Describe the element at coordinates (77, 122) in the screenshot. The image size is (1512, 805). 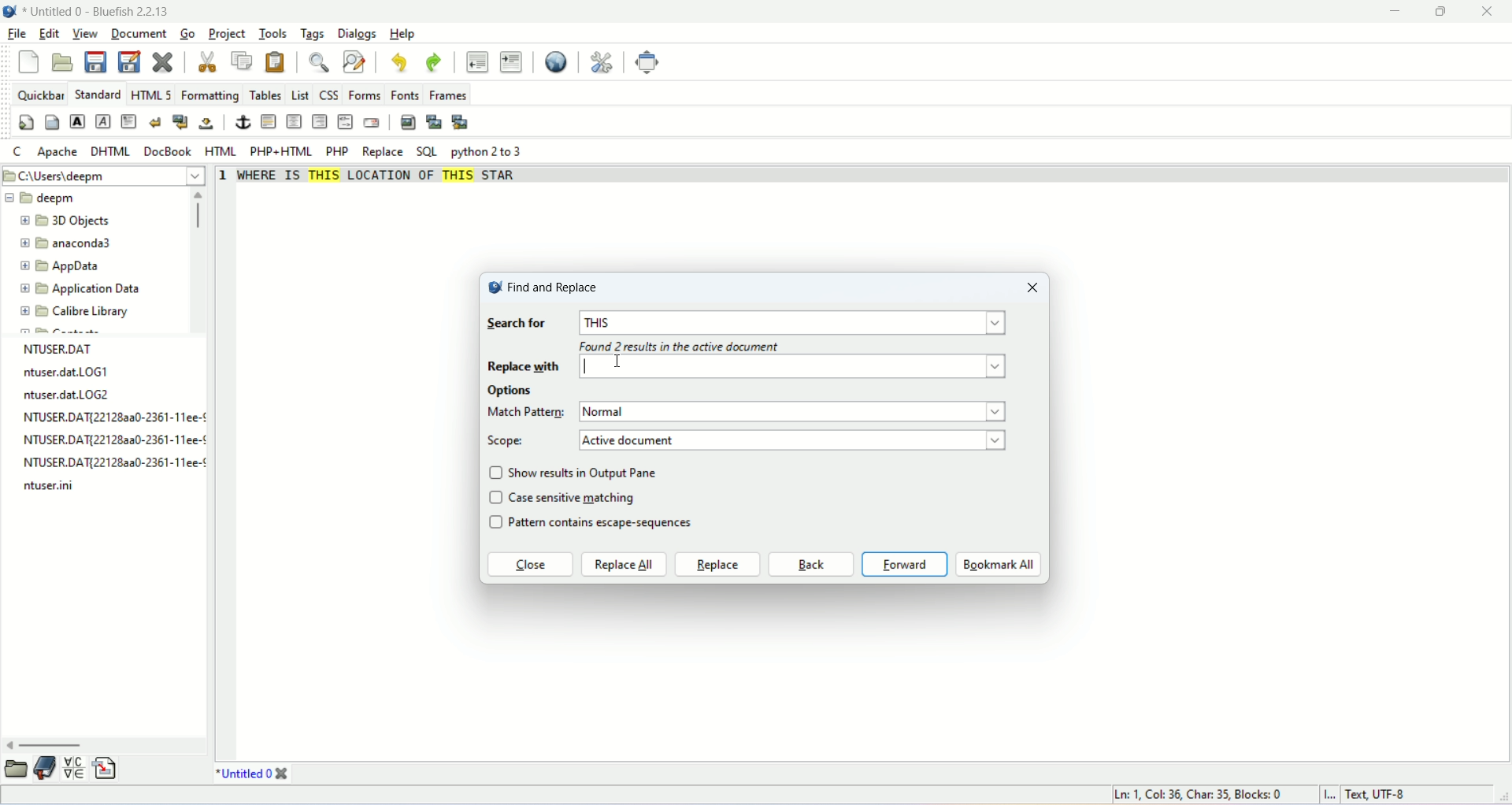
I see `strong` at that location.